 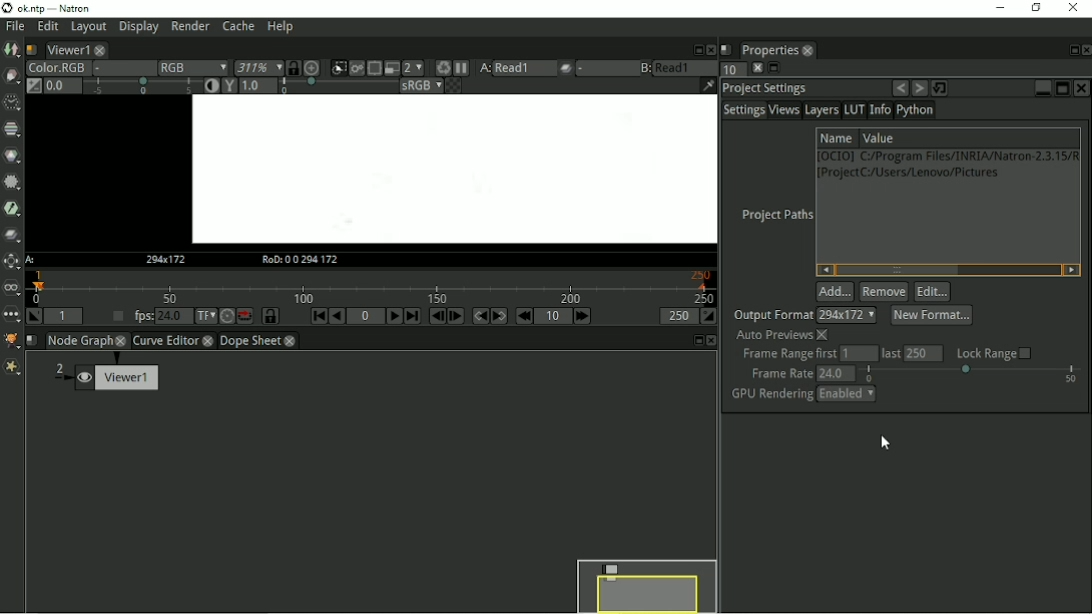 What do you see at coordinates (260, 86) in the screenshot?
I see `1.0` at bounding box center [260, 86].